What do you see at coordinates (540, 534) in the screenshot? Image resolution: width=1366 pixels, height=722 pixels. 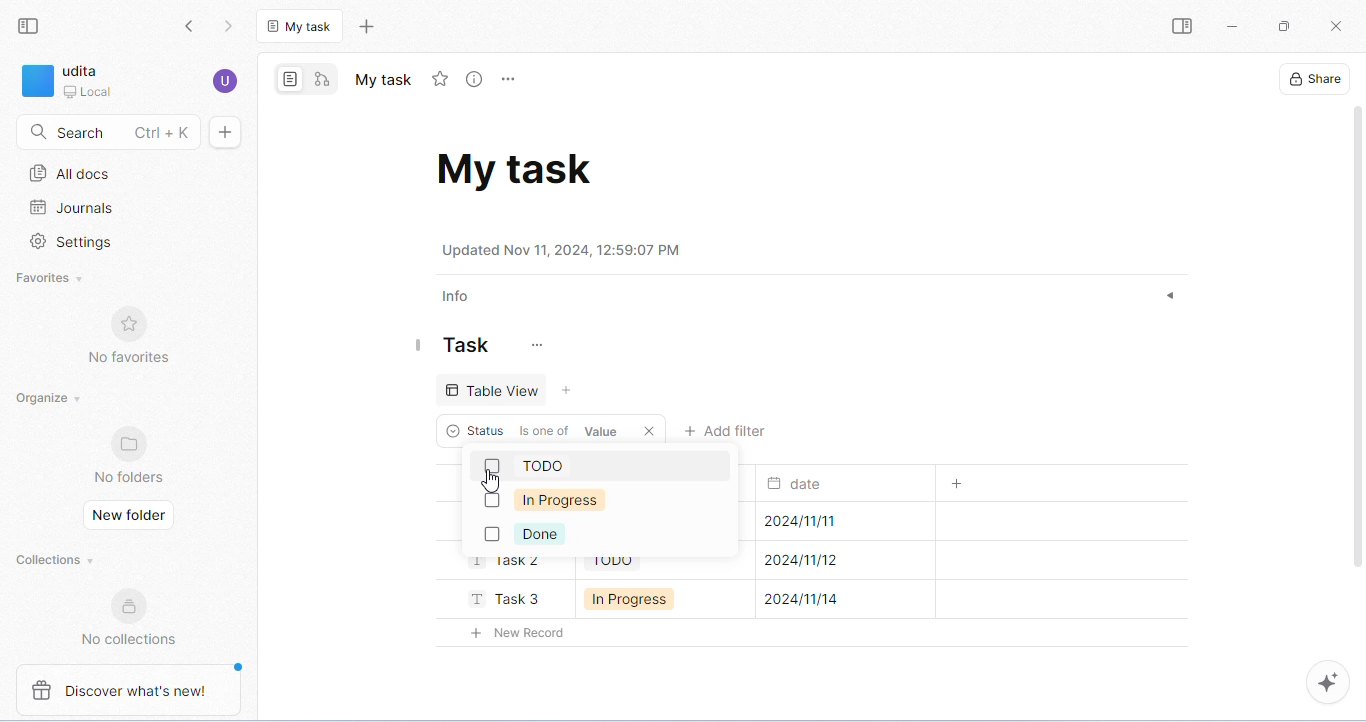 I see `done` at bounding box center [540, 534].